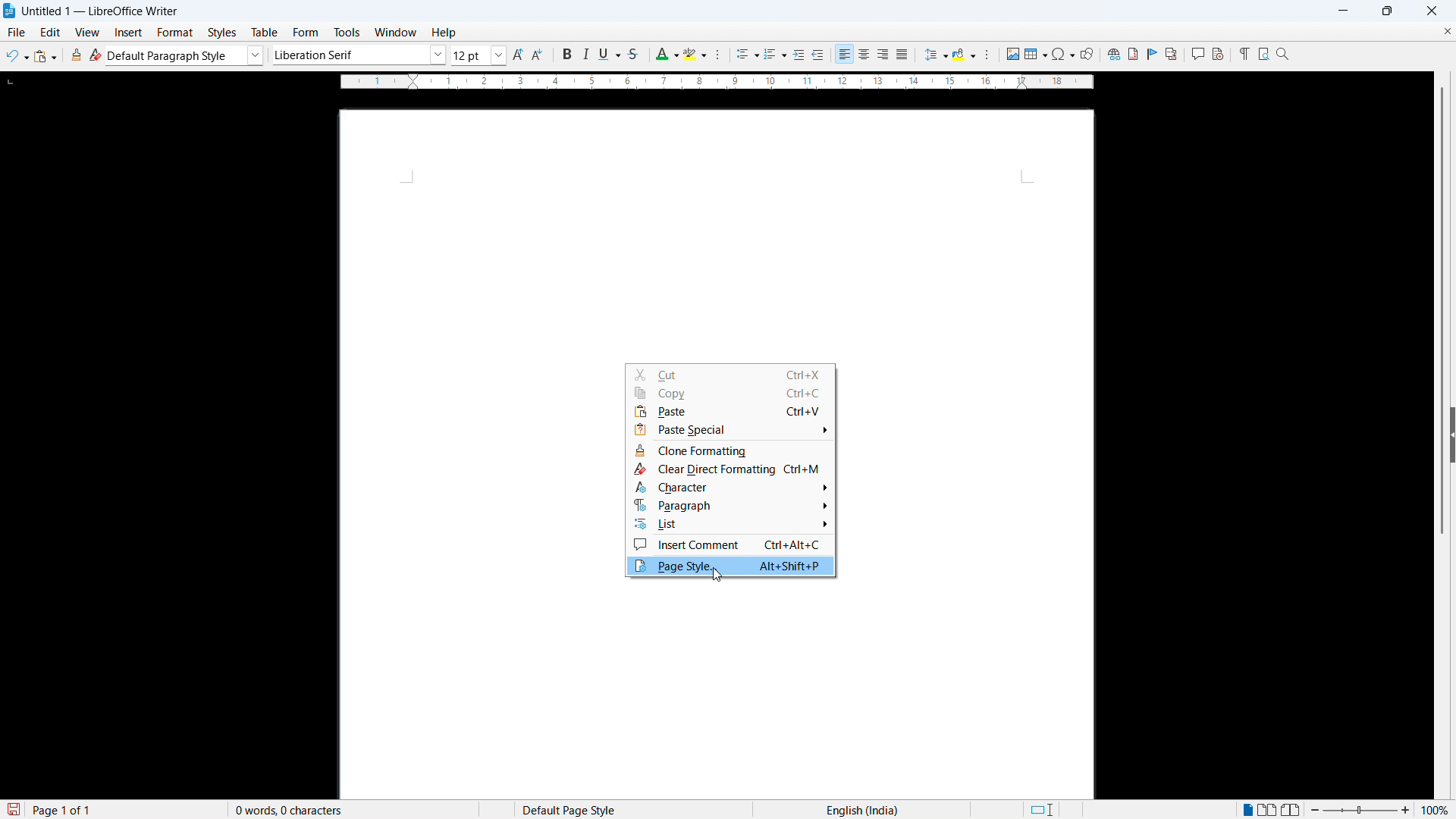  What do you see at coordinates (1360, 809) in the screenshot?
I see `Zoom slider ` at bounding box center [1360, 809].